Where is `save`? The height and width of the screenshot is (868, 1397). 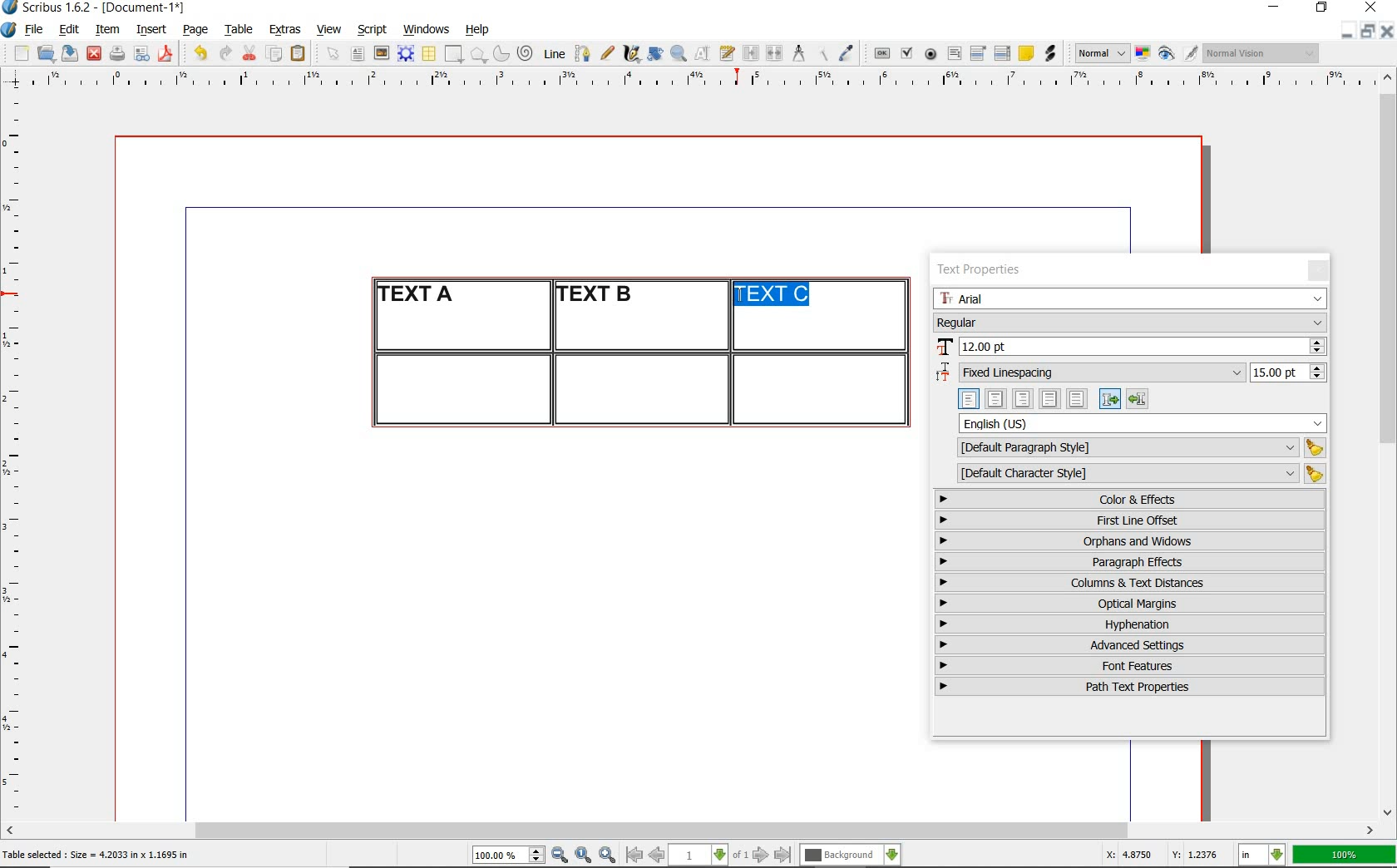
save is located at coordinates (67, 53).